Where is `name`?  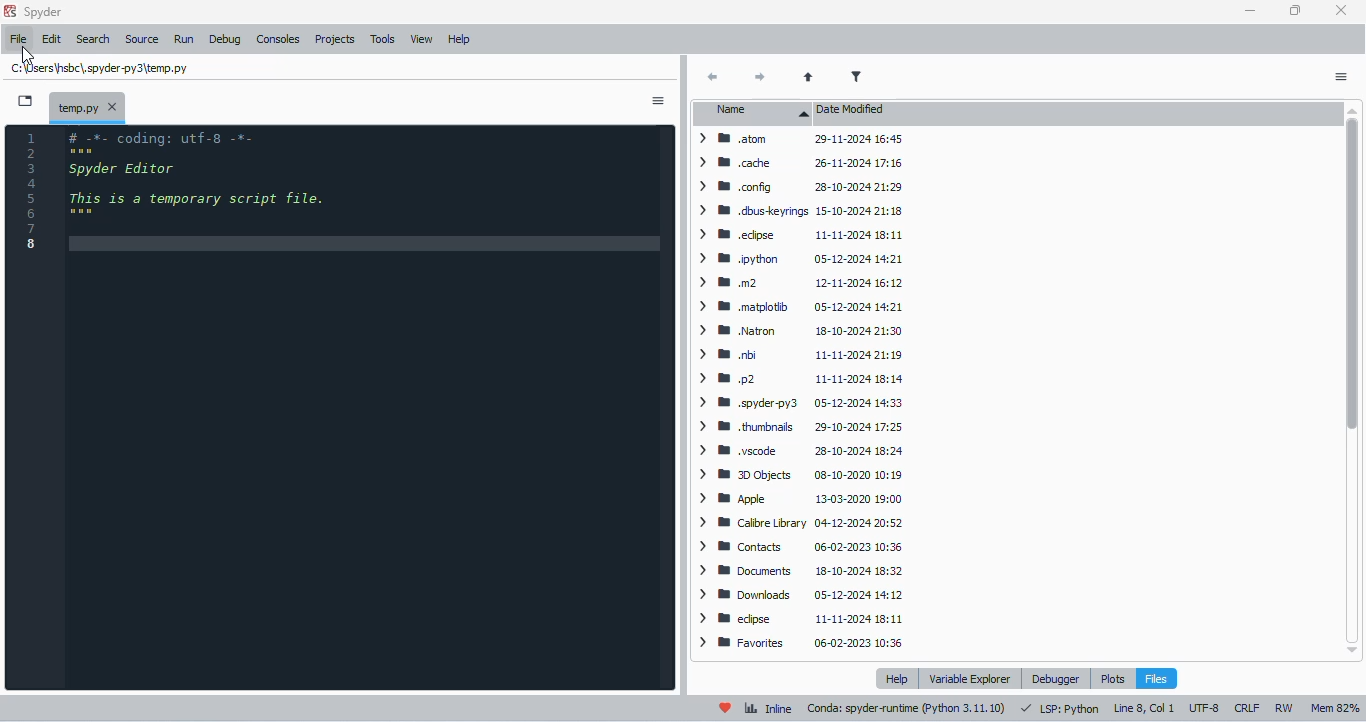 name is located at coordinates (751, 109).